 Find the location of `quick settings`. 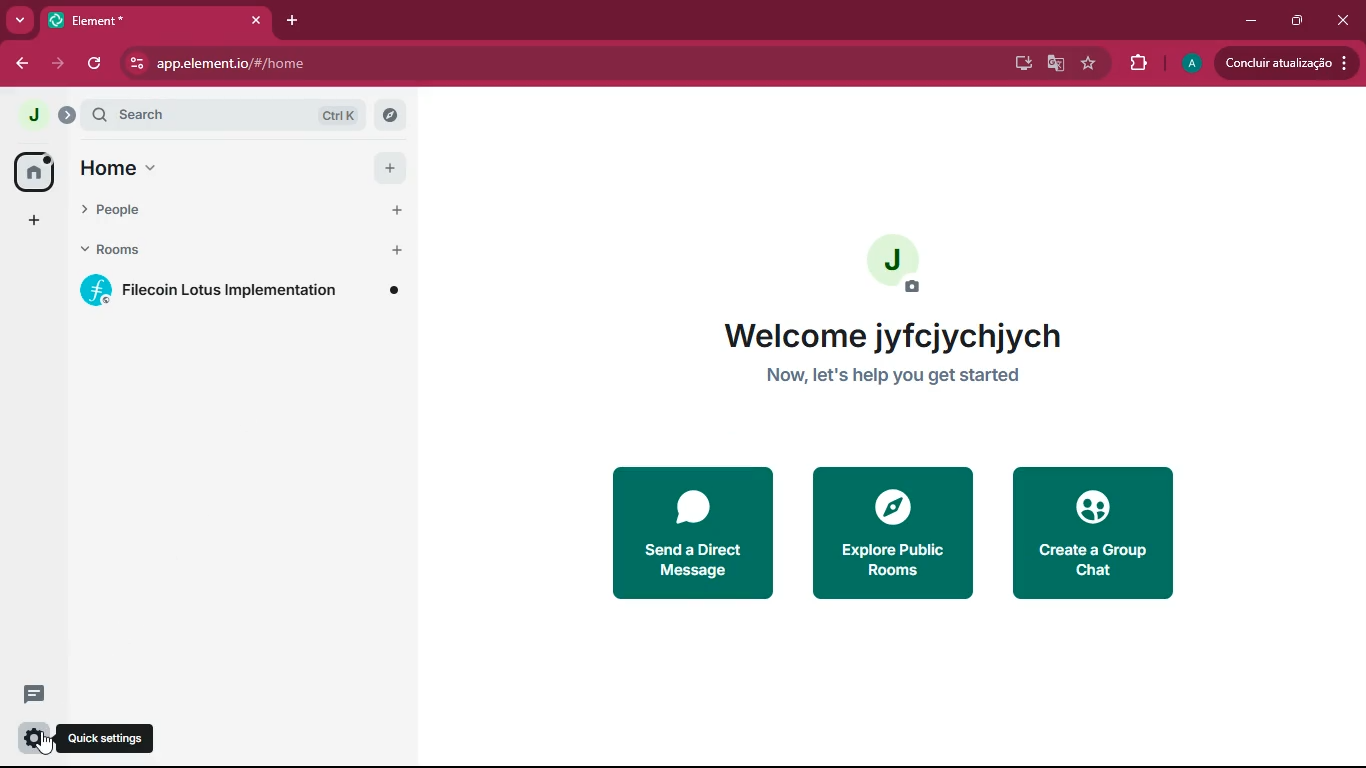

quick settings is located at coordinates (112, 737).